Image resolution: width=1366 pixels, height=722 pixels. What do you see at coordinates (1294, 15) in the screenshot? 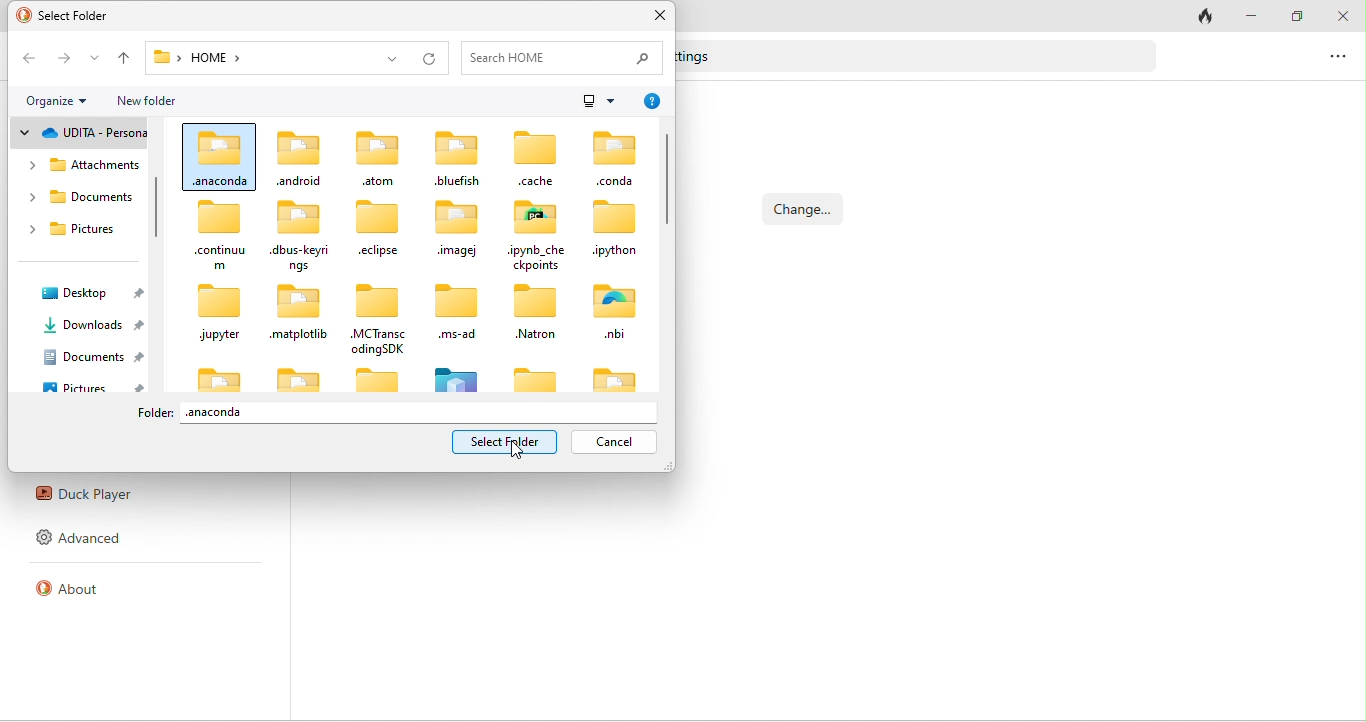
I see `maximize` at bounding box center [1294, 15].